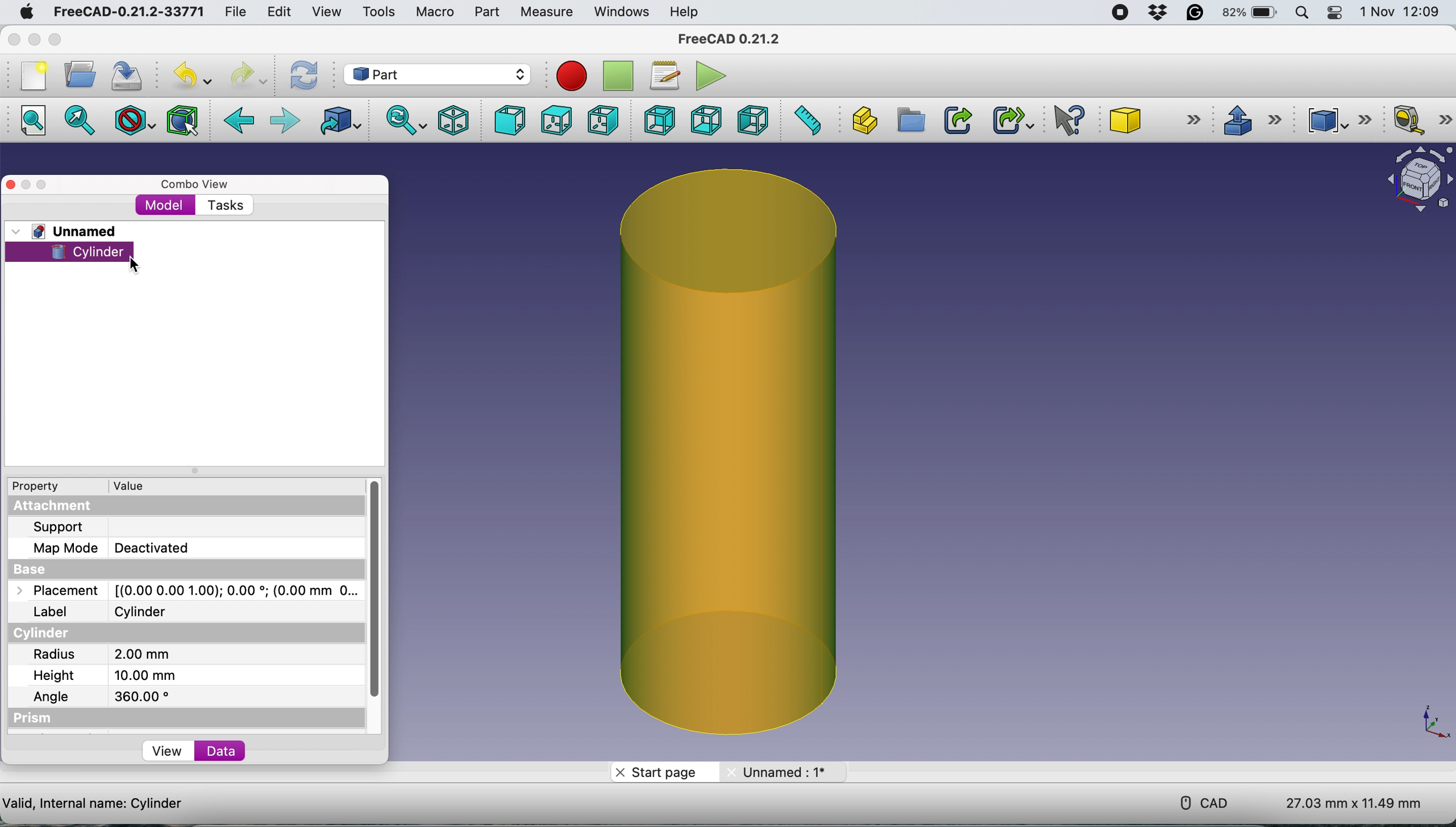 The height and width of the screenshot is (827, 1456). Describe the element at coordinates (909, 120) in the screenshot. I see `create group` at that location.